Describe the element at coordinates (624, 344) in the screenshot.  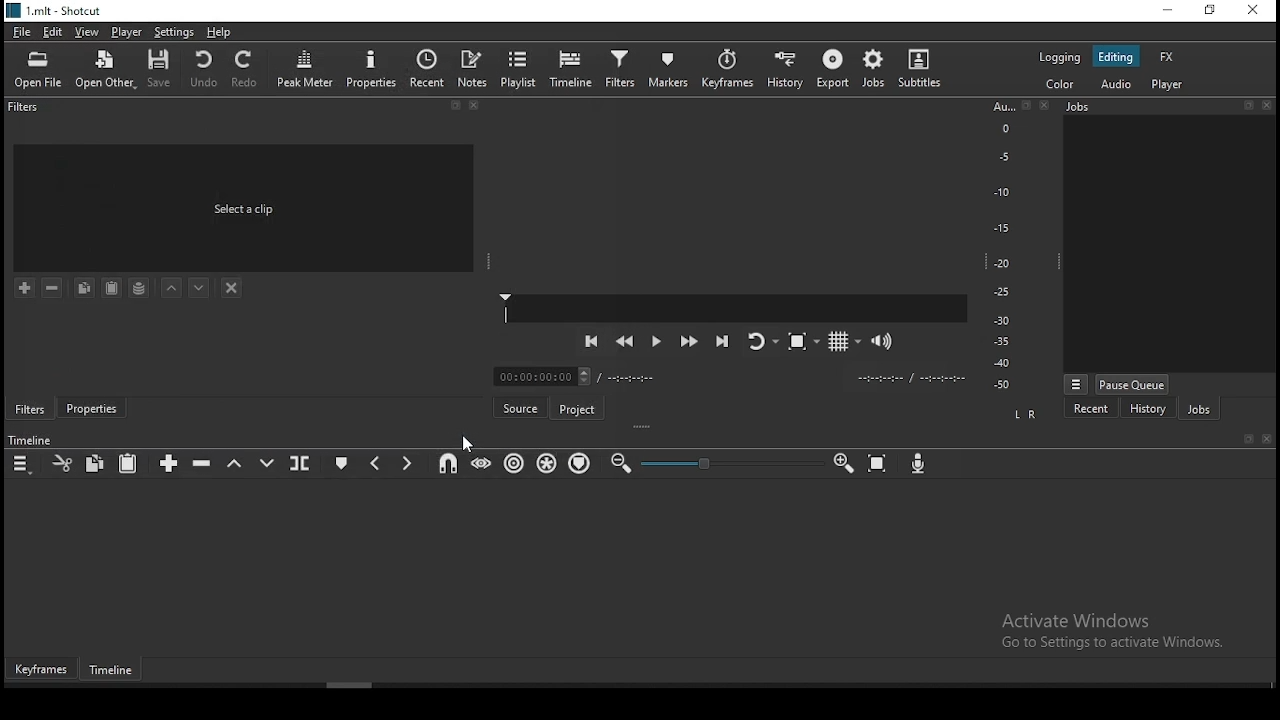
I see `play quickly backwards` at that location.